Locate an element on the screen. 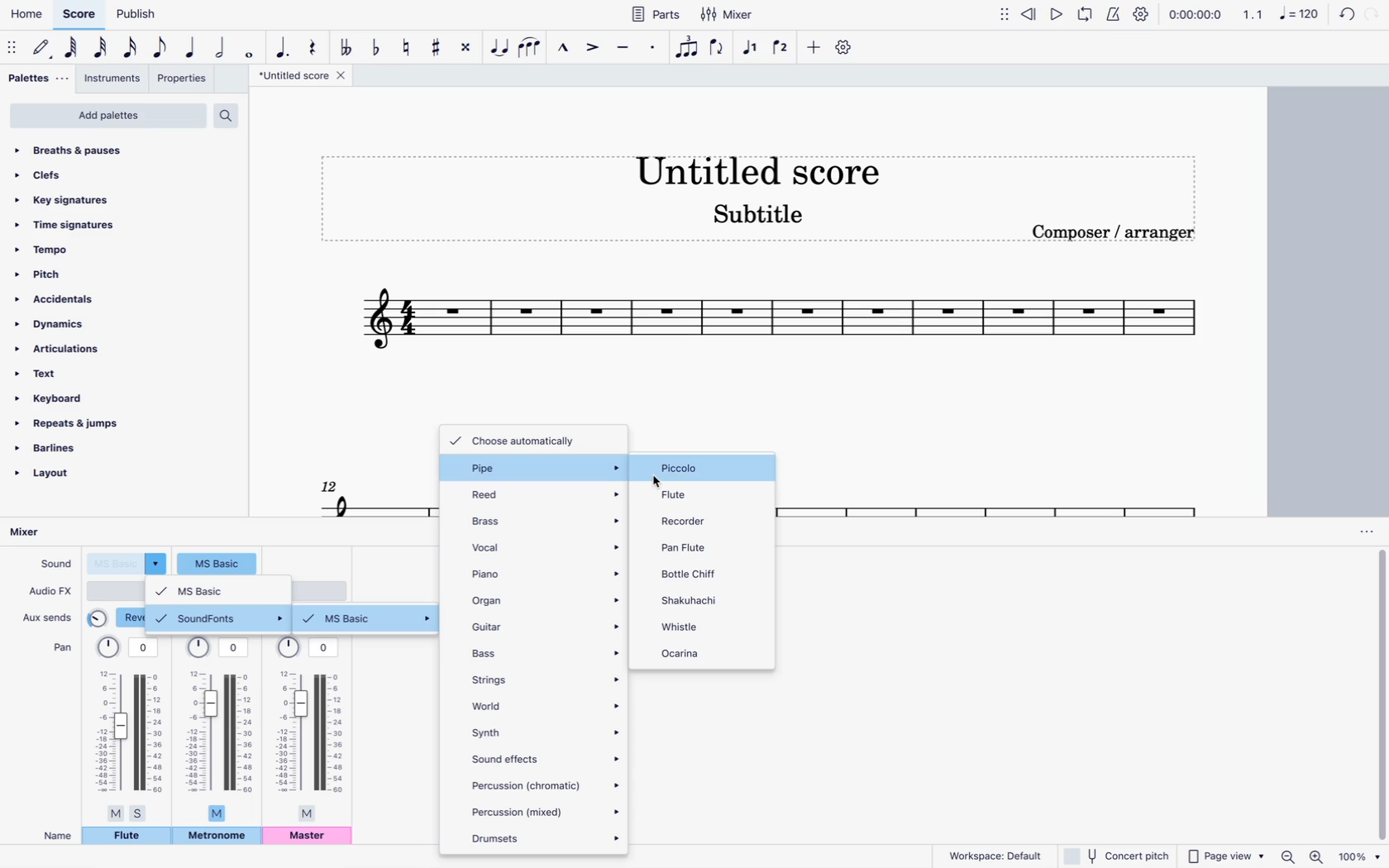 This screenshot has height=868, width=1389. articulations is located at coordinates (62, 351).